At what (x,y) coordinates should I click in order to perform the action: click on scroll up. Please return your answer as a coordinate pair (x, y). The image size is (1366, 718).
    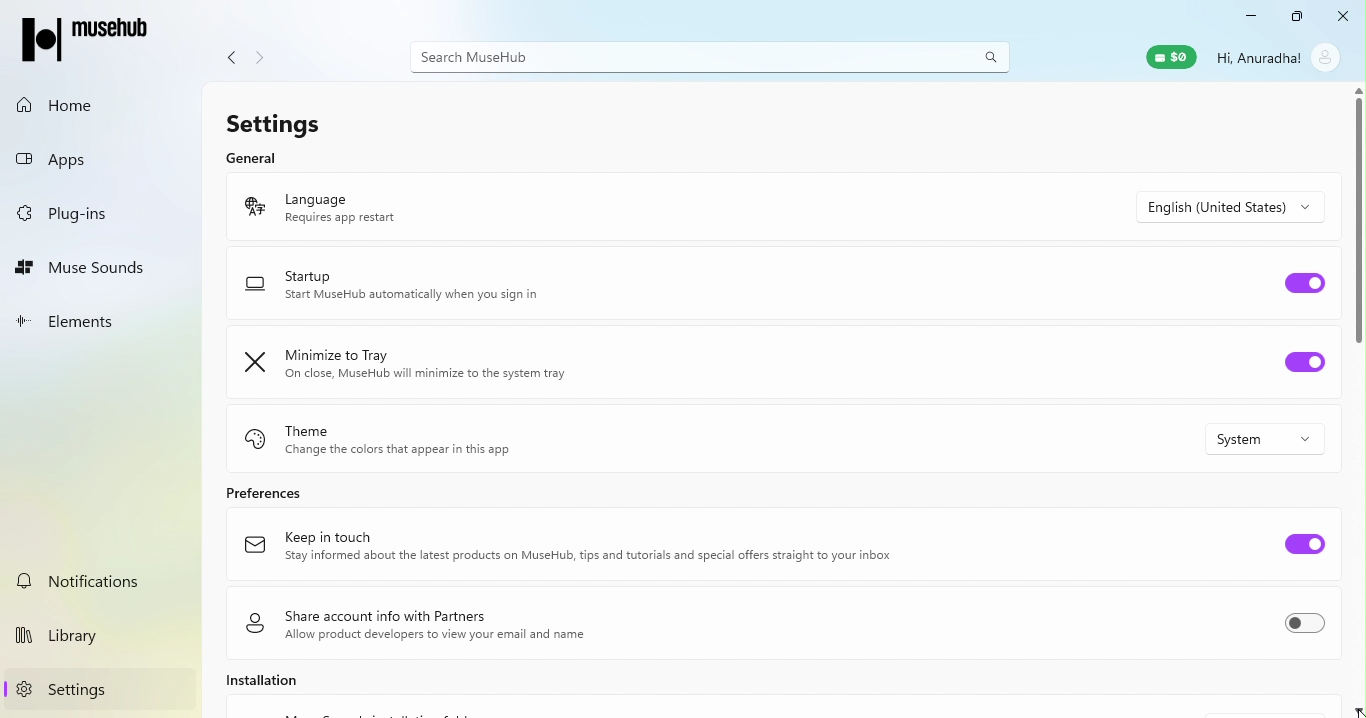
    Looking at the image, I should click on (1357, 90).